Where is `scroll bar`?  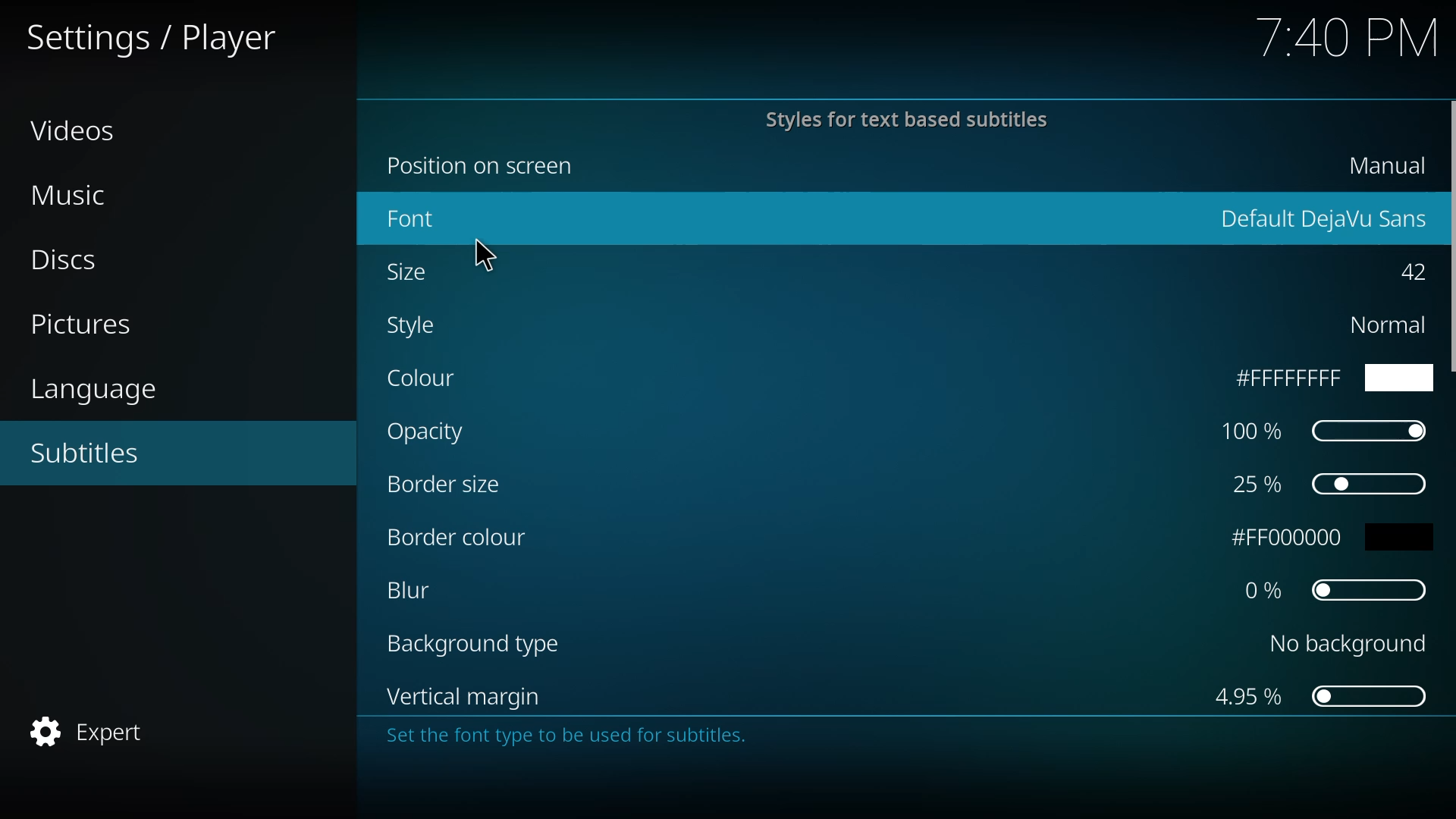
scroll bar is located at coordinates (1457, 238).